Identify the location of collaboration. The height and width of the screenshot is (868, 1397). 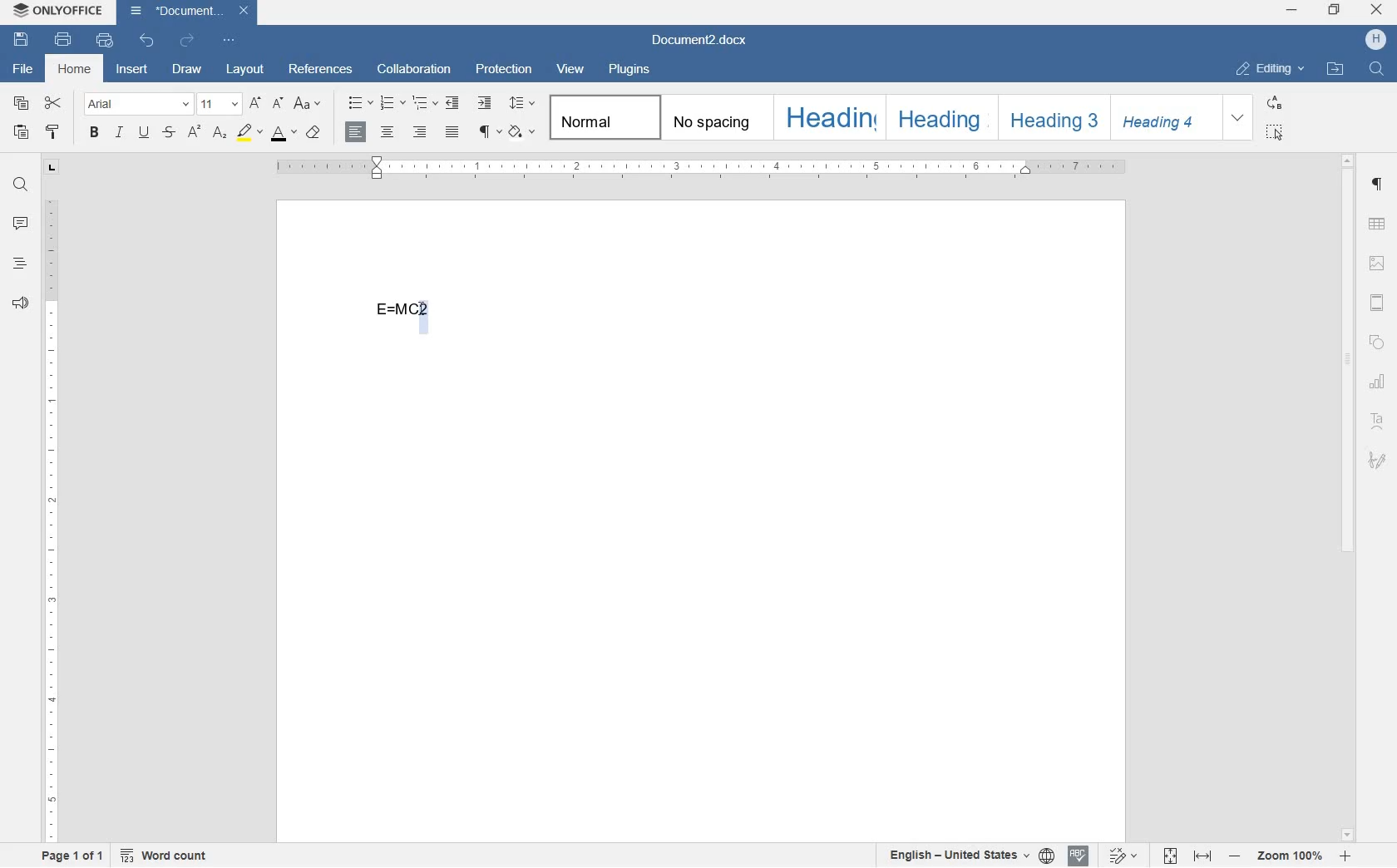
(417, 69).